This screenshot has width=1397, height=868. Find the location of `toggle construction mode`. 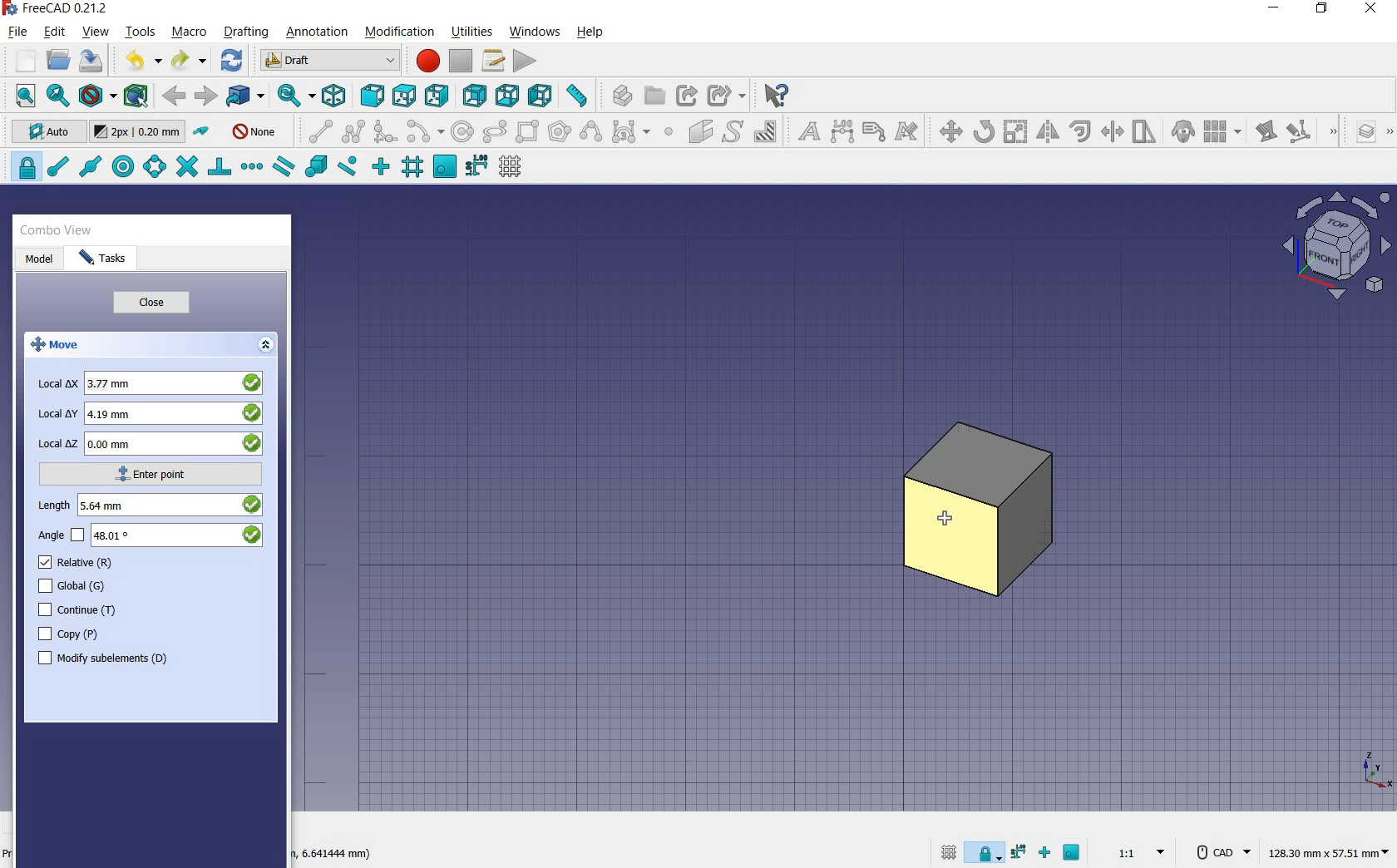

toggle construction mode is located at coordinates (203, 132).